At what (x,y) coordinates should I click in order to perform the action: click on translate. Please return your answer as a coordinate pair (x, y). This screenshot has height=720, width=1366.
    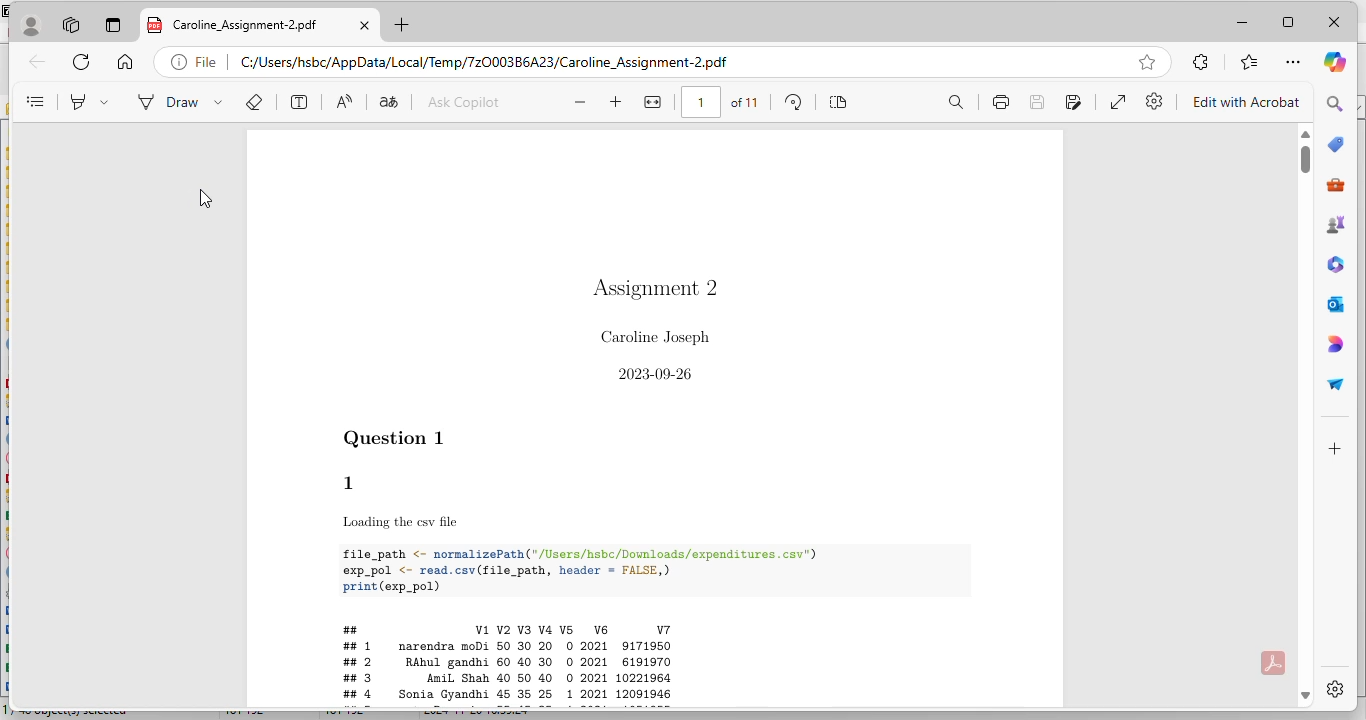
    Looking at the image, I should click on (388, 101).